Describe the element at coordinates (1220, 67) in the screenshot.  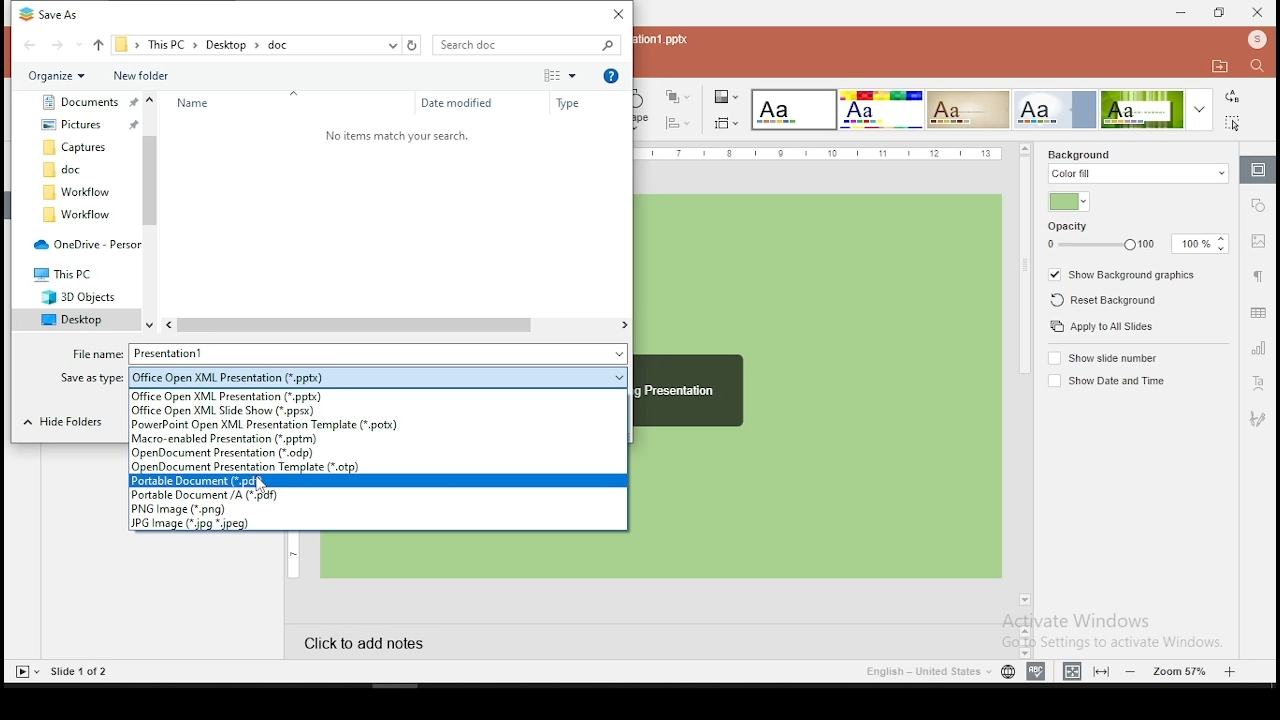
I see `open file location` at that location.